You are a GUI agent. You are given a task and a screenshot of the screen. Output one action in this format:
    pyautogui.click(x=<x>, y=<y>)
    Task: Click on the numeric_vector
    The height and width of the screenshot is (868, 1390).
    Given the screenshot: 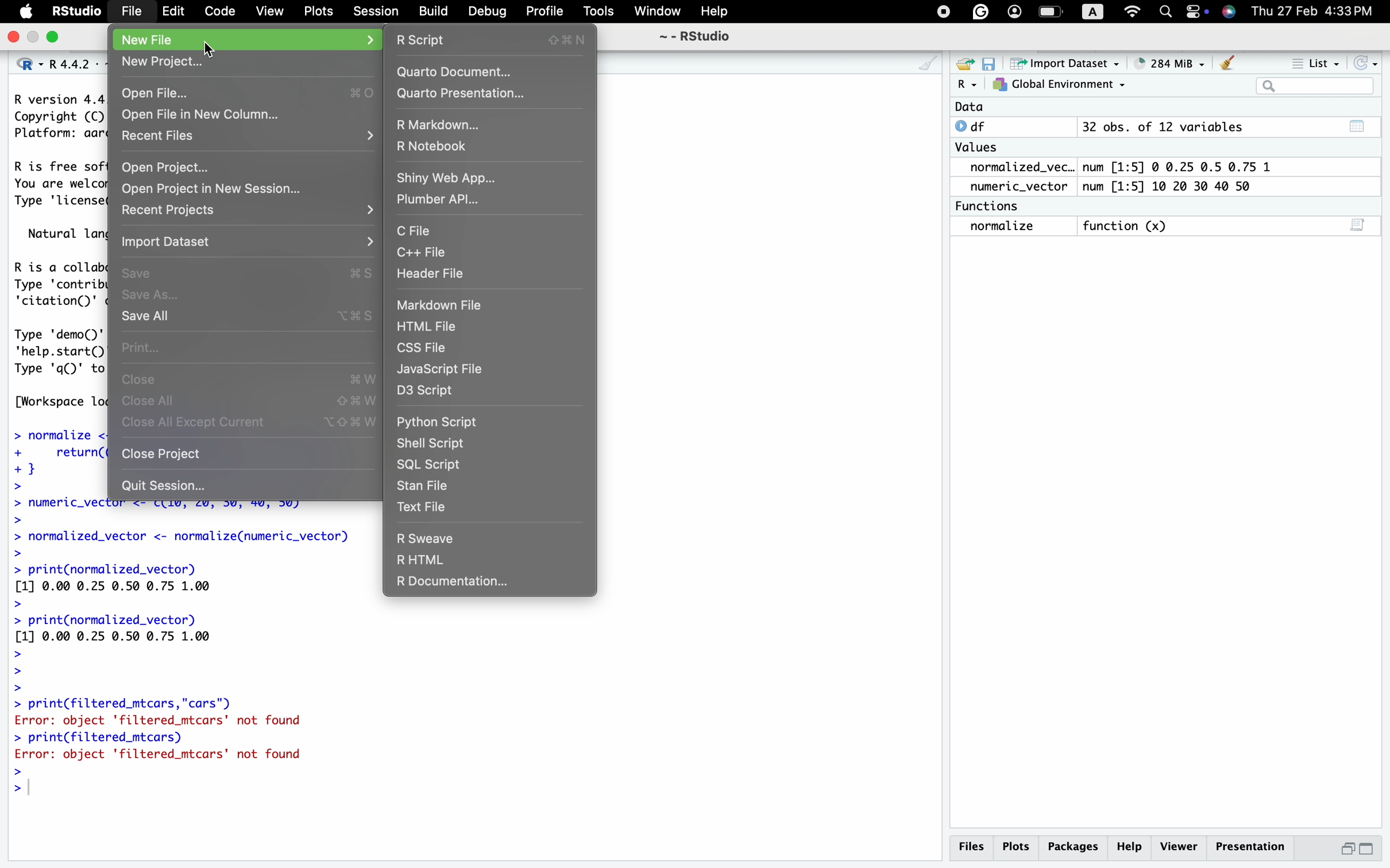 What is the action you would take?
    pyautogui.click(x=1023, y=187)
    